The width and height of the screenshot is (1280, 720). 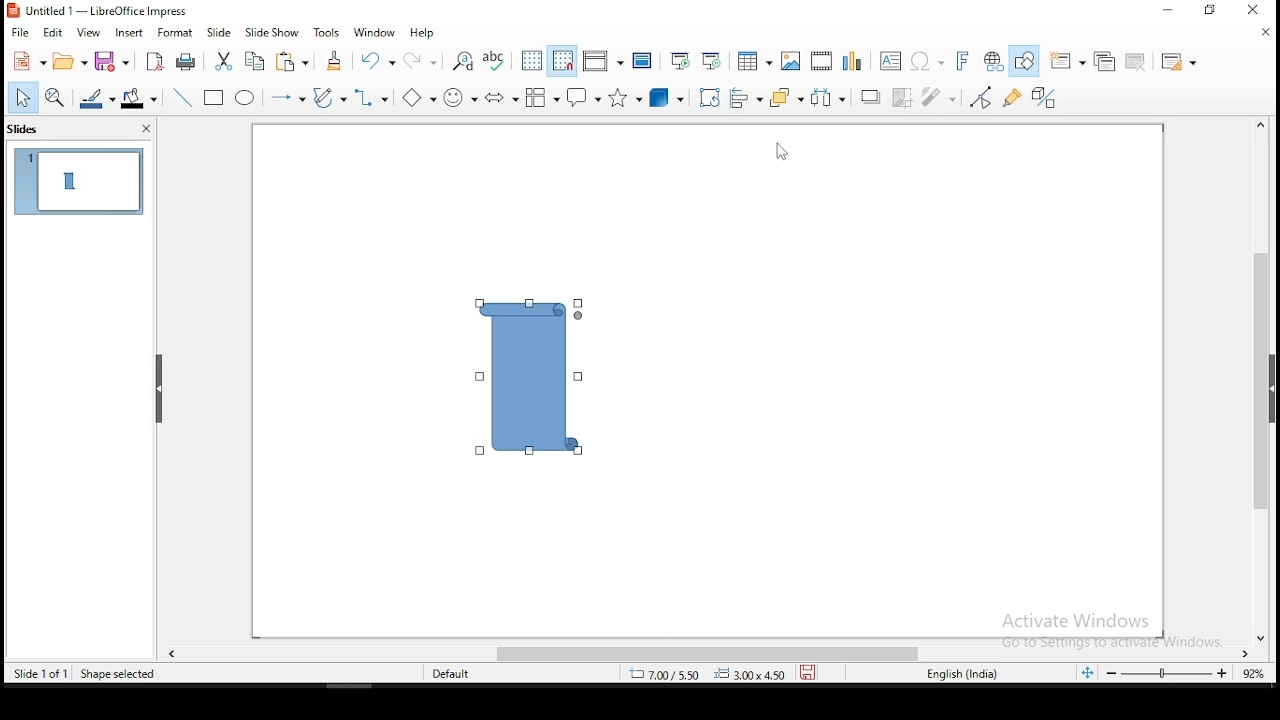 I want to click on image, so click(x=792, y=61).